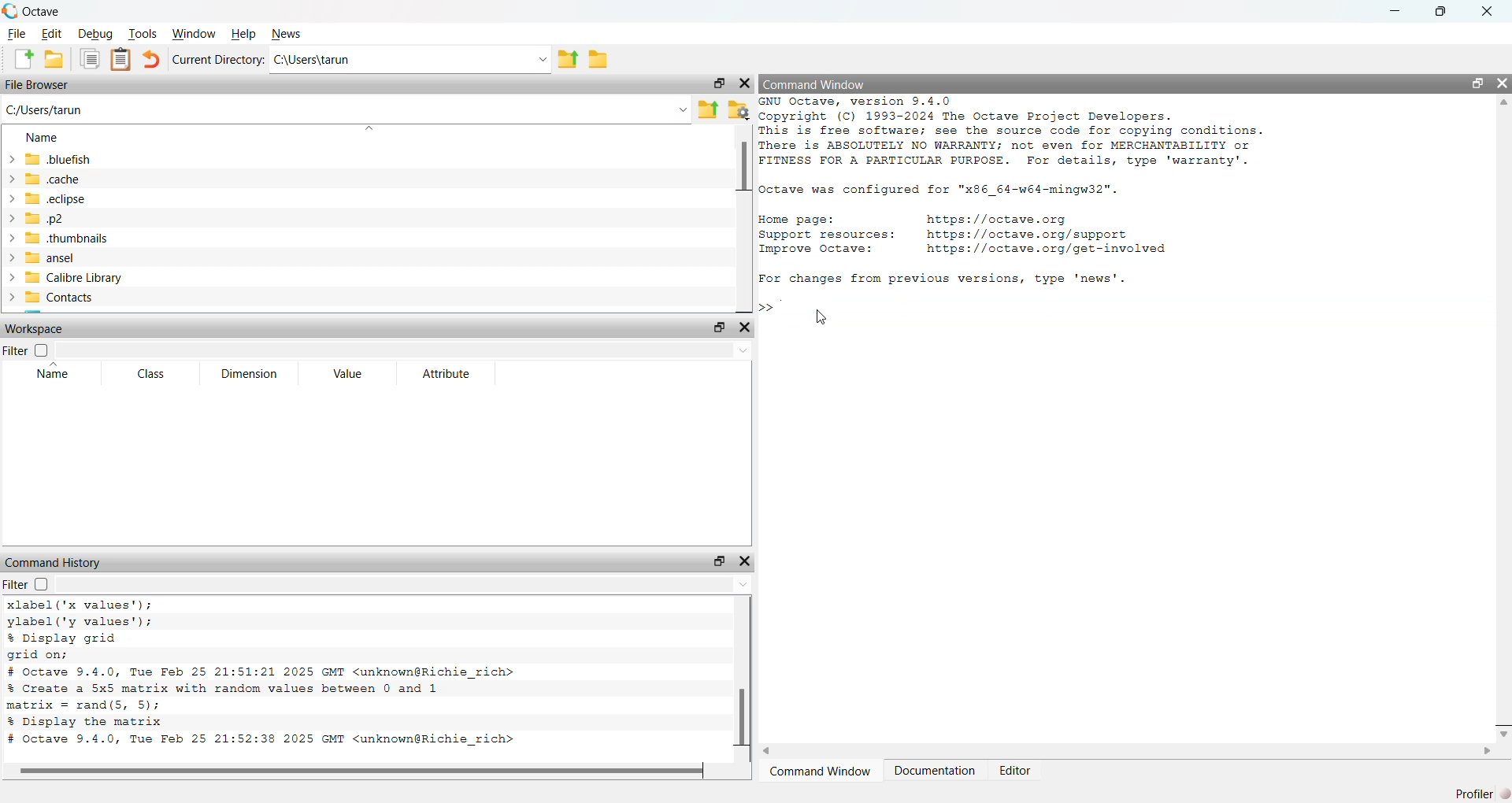  I want to click on ansel, so click(55, 258).